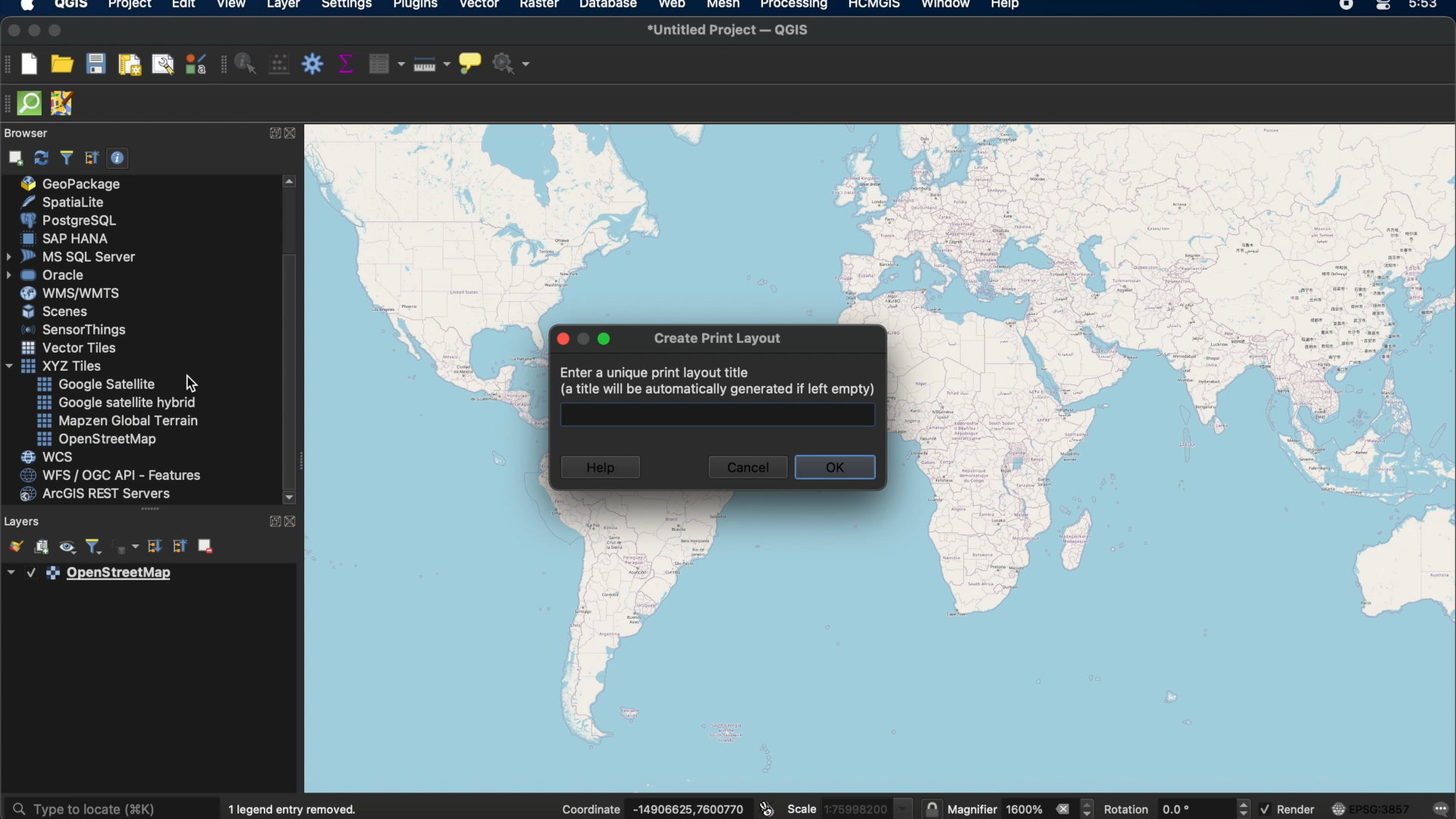  What do you see at coordinates (9, 66) in the screenshot?
I see `project toolbar` at bounding box center [9, 66].